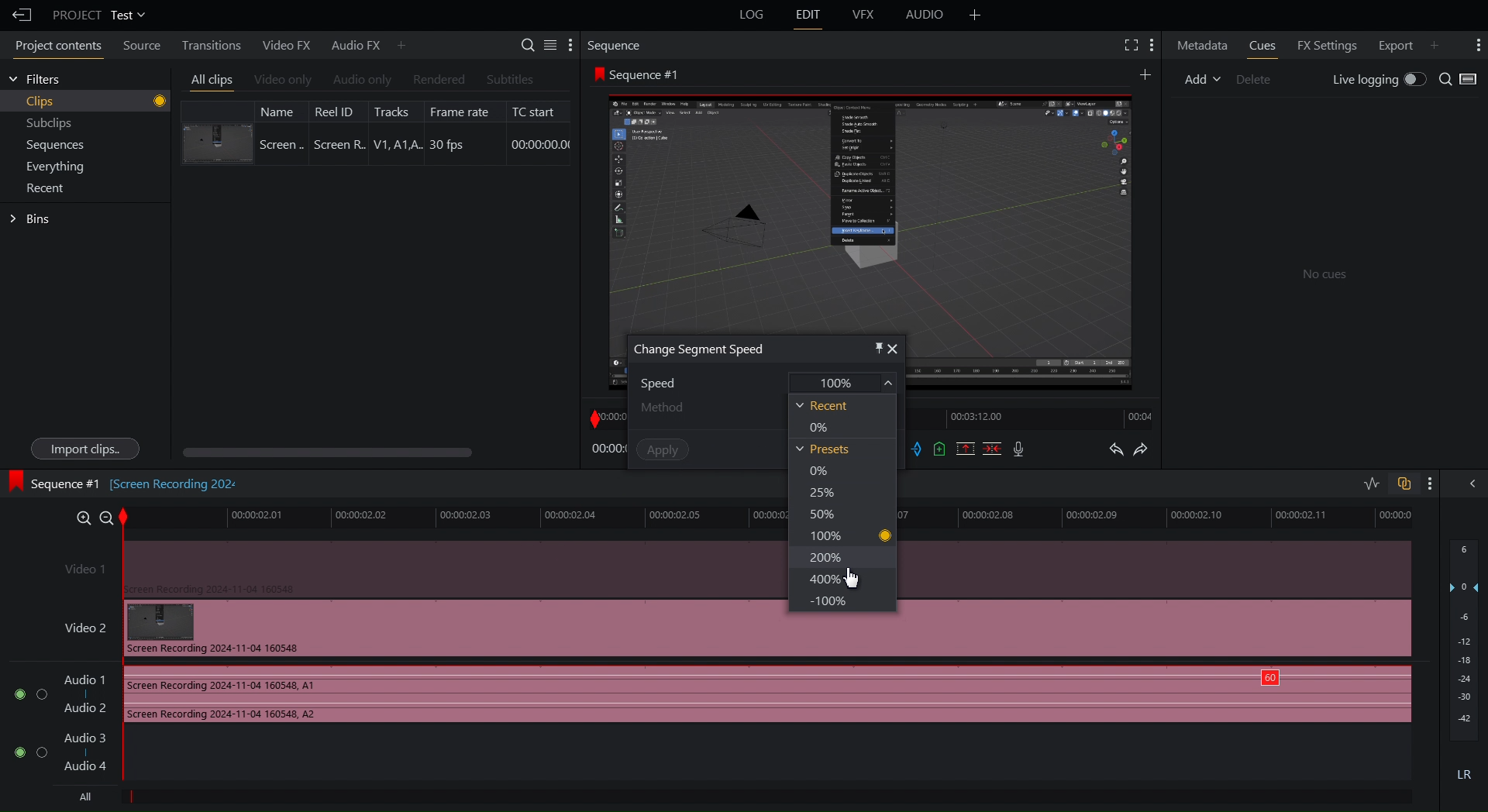 This screenshot has height=812, width=1488. Describe the element at coordinates (1260, 77) in the screenshot. I see `Delete` at that location.